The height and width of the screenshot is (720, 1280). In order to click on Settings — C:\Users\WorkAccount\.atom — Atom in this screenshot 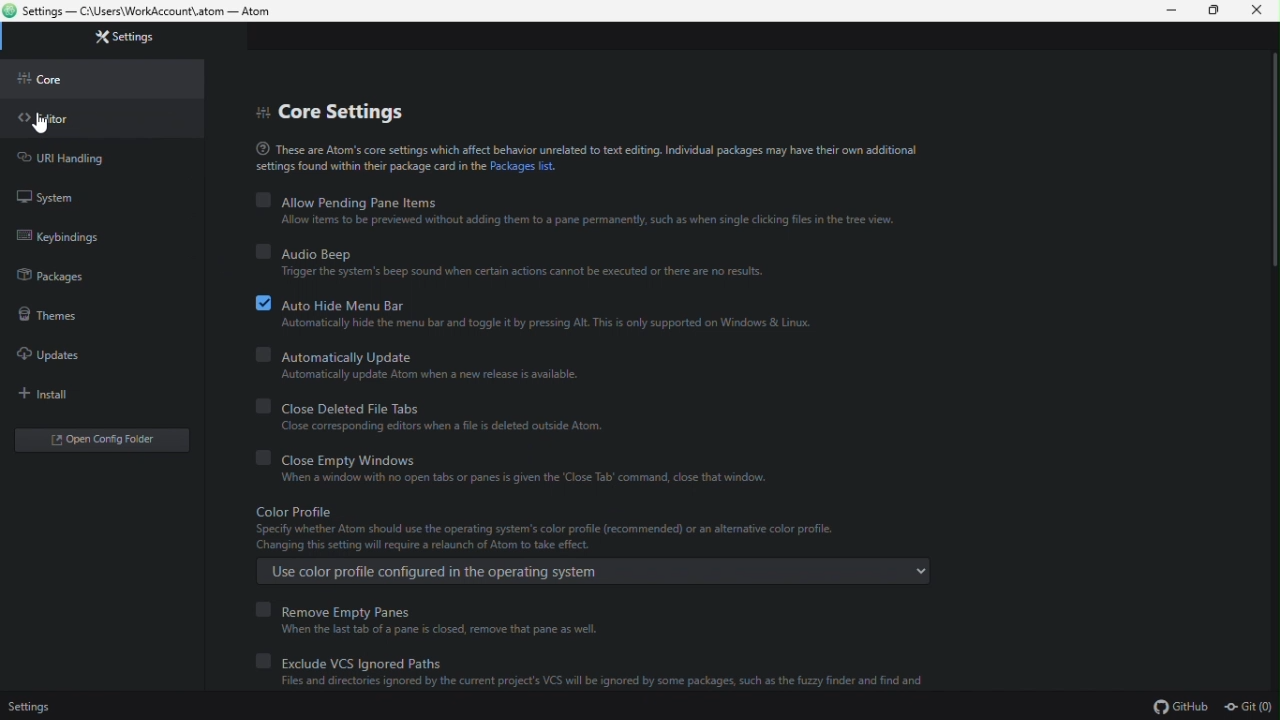, I will do `click(164, 13)`.